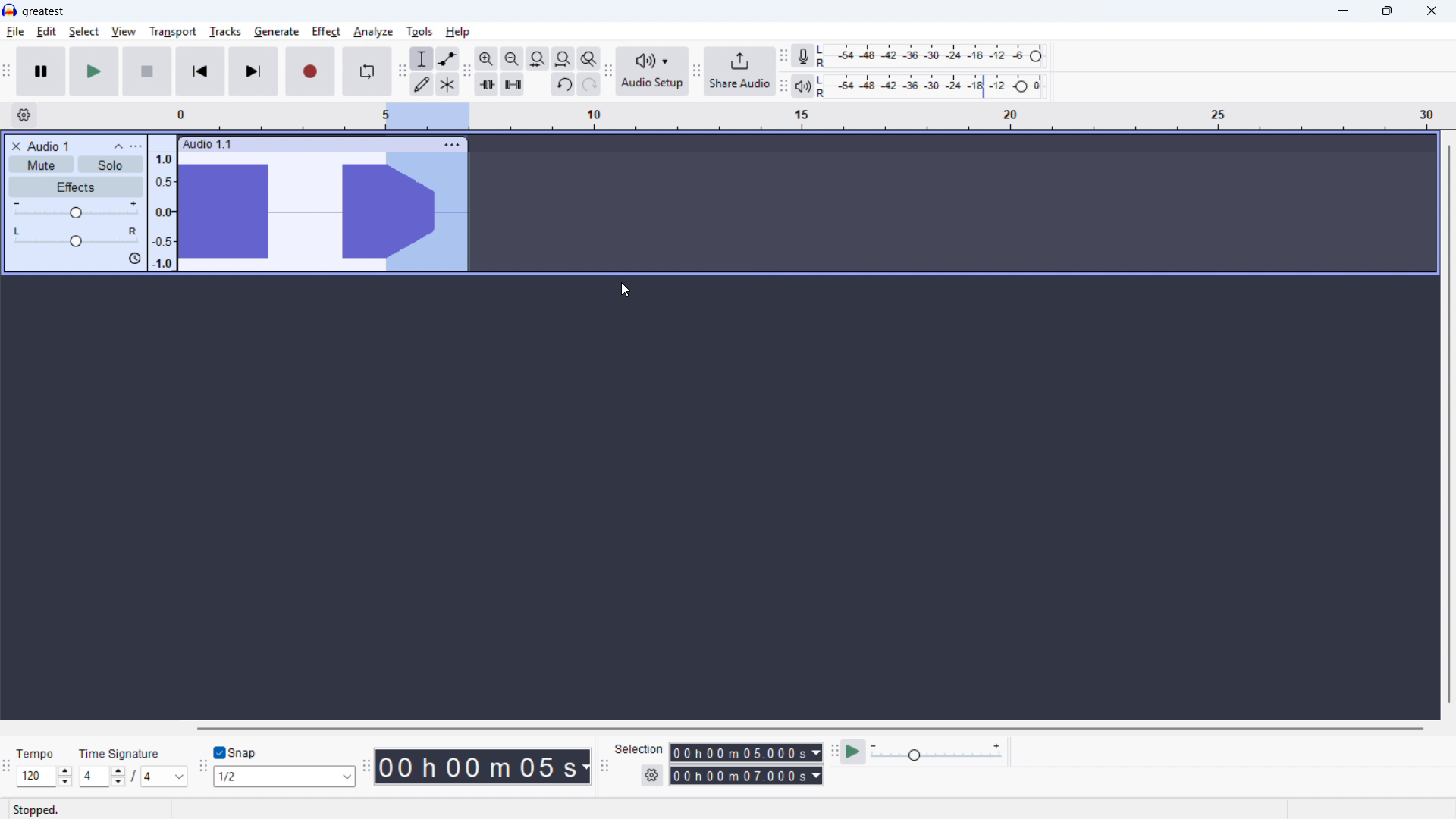 This screenshot has width=1456, height=819. What do you see at coordinates (935, 56) in the screenshot?
I see `Recording level ` at bounding box center [935, 56].